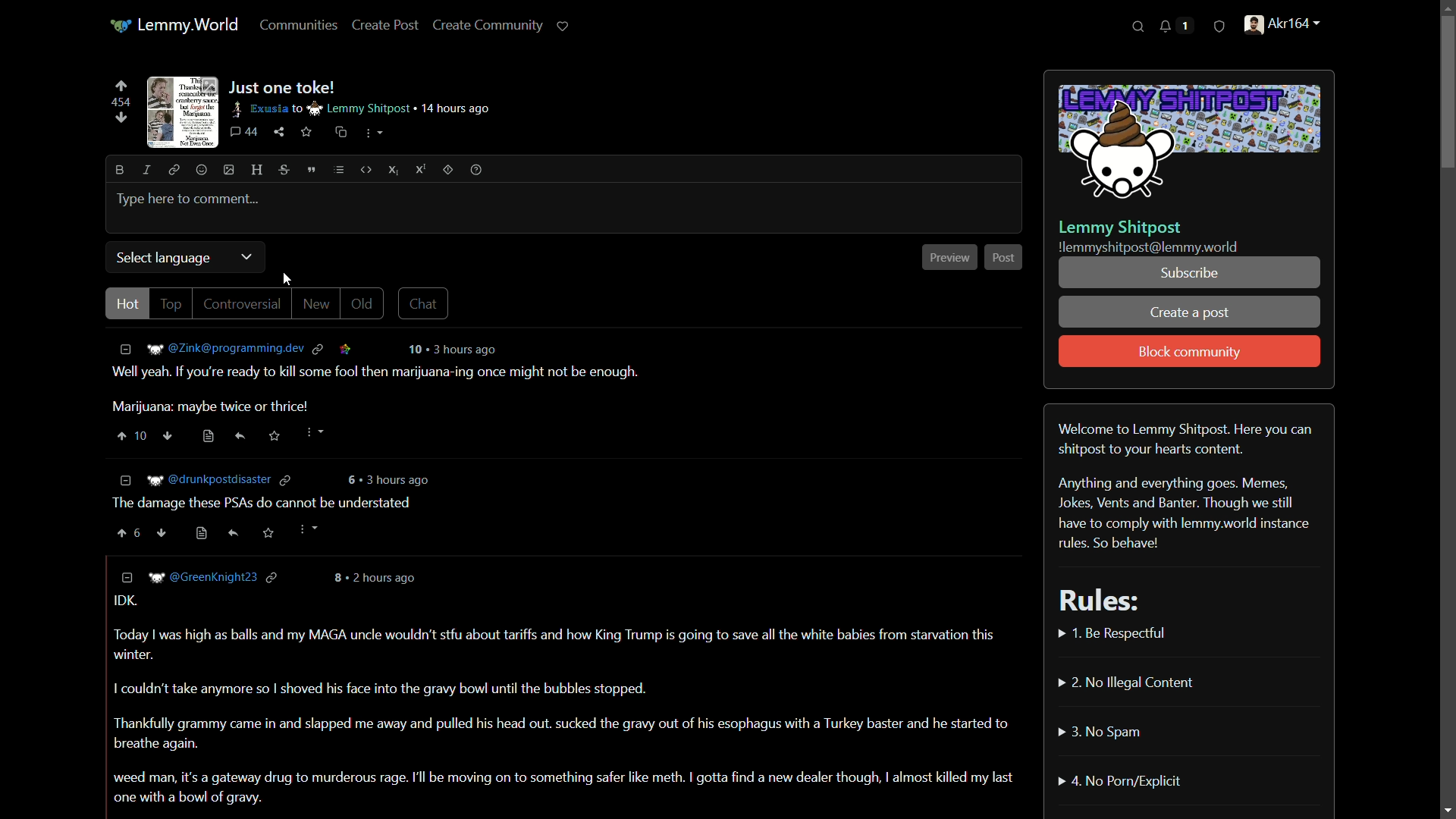 The width and height of the screenshot is (1456, 819). What do you see at coordinates (1003, 259) in the screenshot?
I see `post` at bounding box center [1003, 259].